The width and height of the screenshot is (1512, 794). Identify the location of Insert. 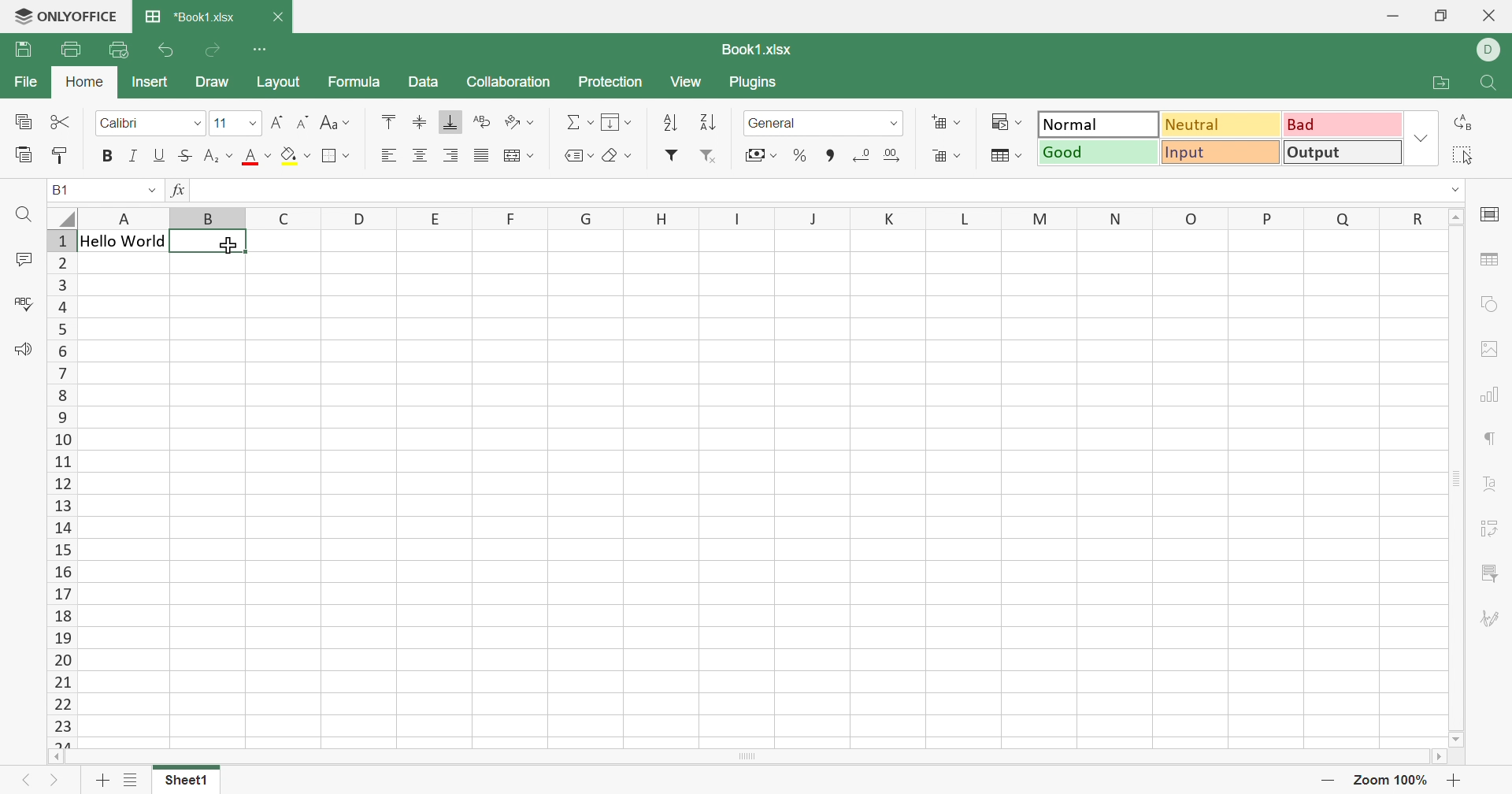
(147, 82).